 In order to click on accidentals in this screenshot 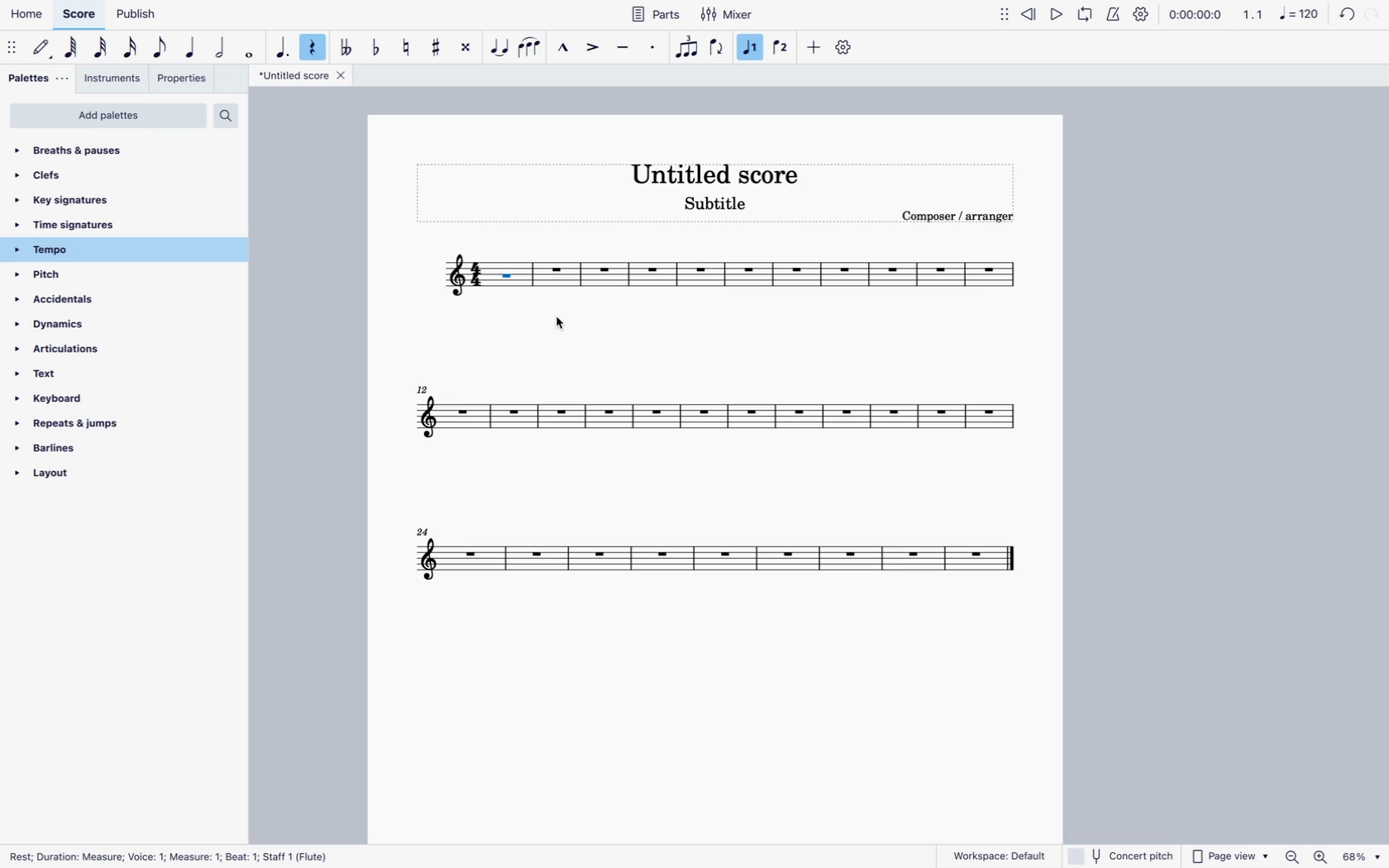, I will do `click(84, 301)`.